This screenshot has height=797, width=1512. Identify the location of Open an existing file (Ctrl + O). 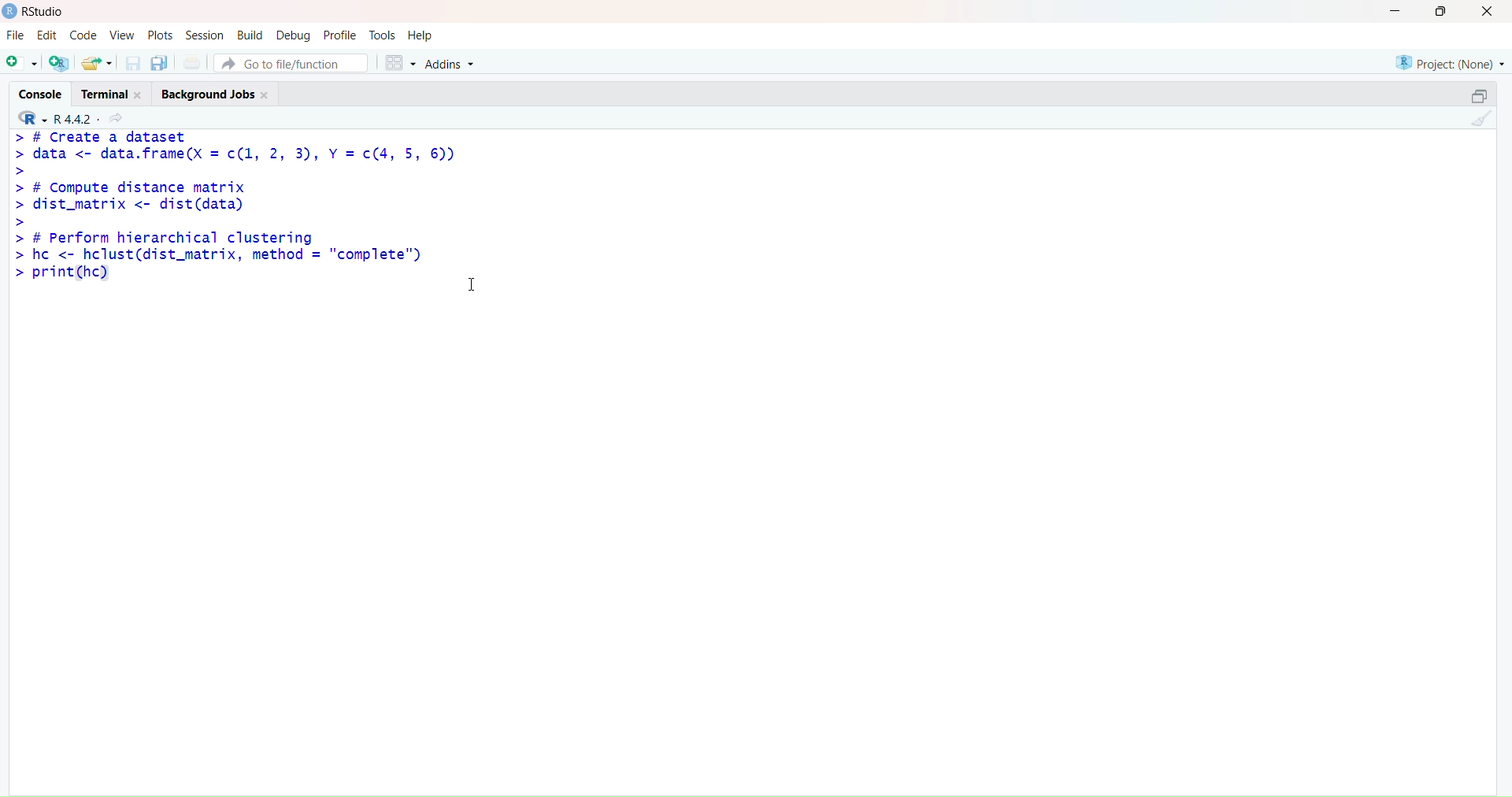
(97, 61).